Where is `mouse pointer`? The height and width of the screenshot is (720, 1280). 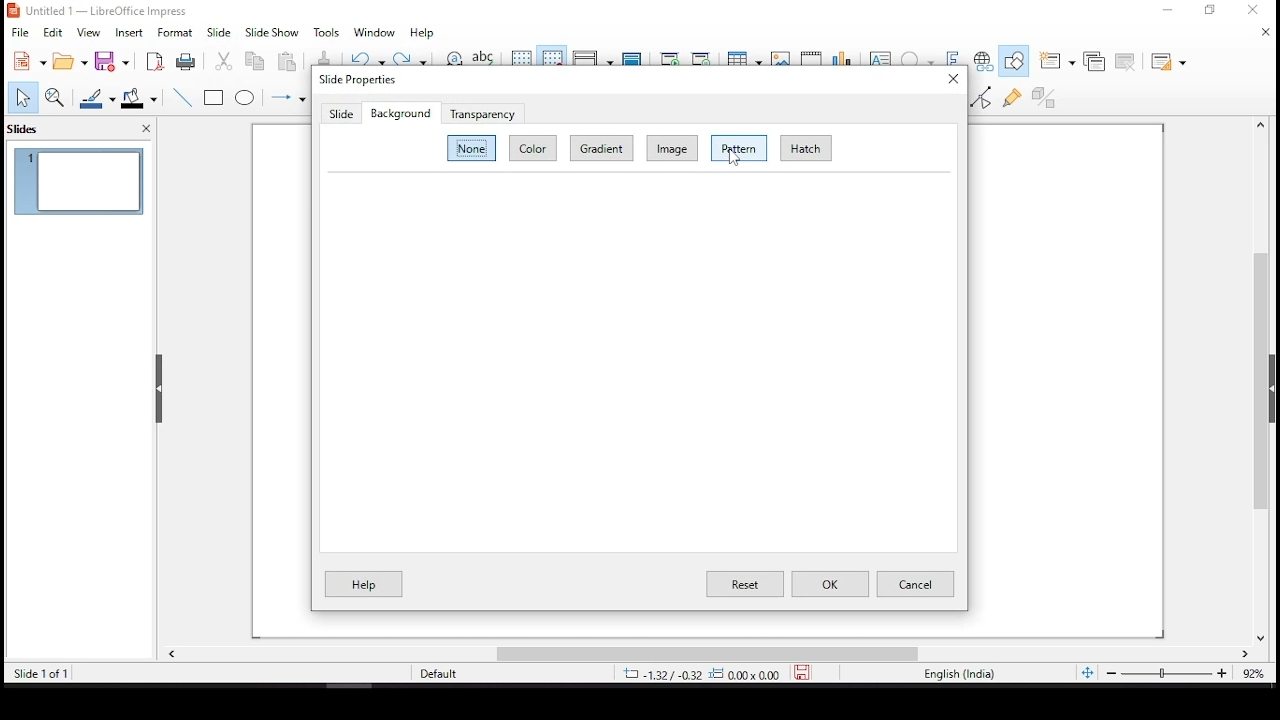
mouse pointer is located at coordinates (735, 162).